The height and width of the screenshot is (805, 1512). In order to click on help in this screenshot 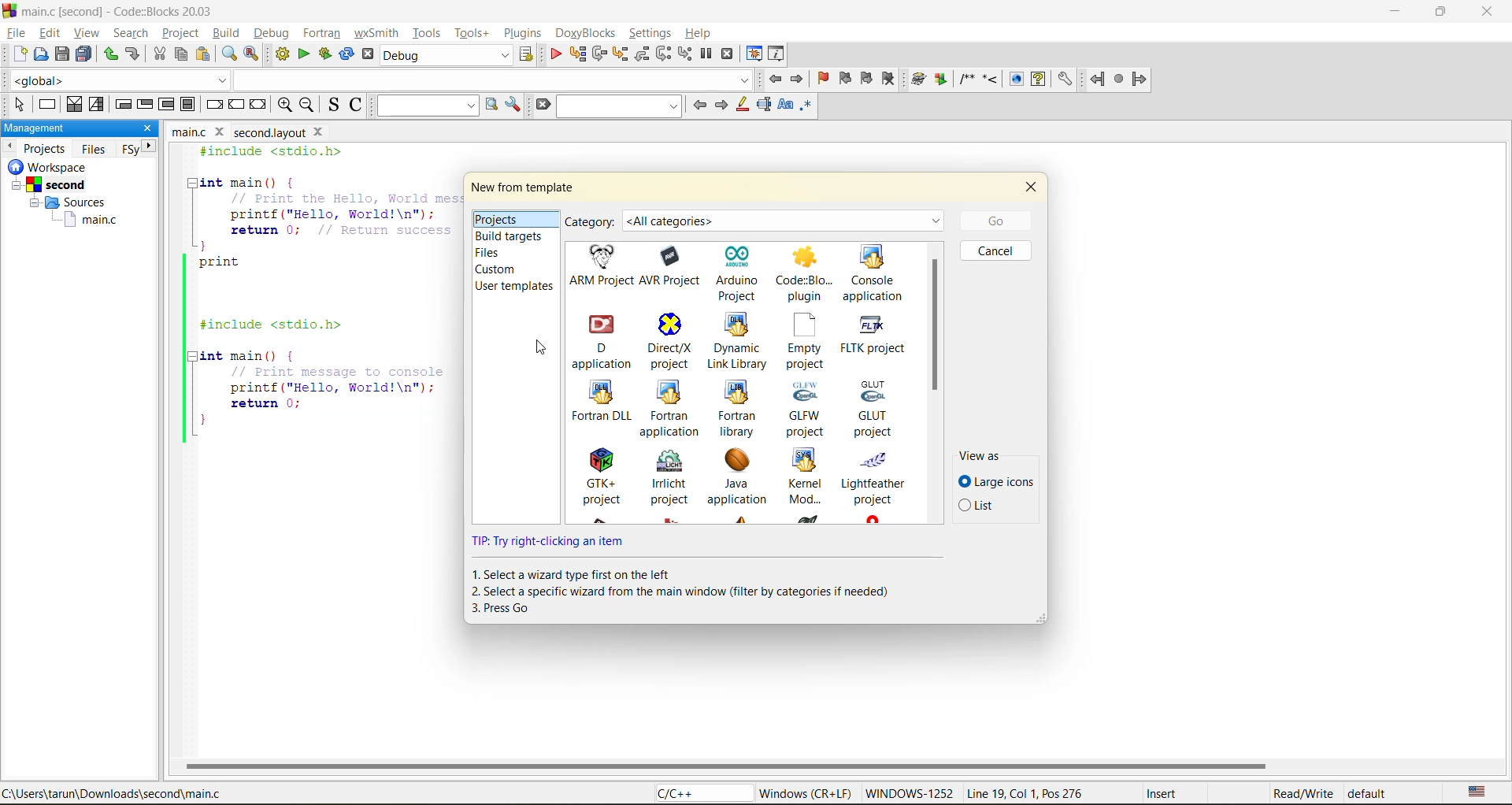, I will do `click(695, 34)`.